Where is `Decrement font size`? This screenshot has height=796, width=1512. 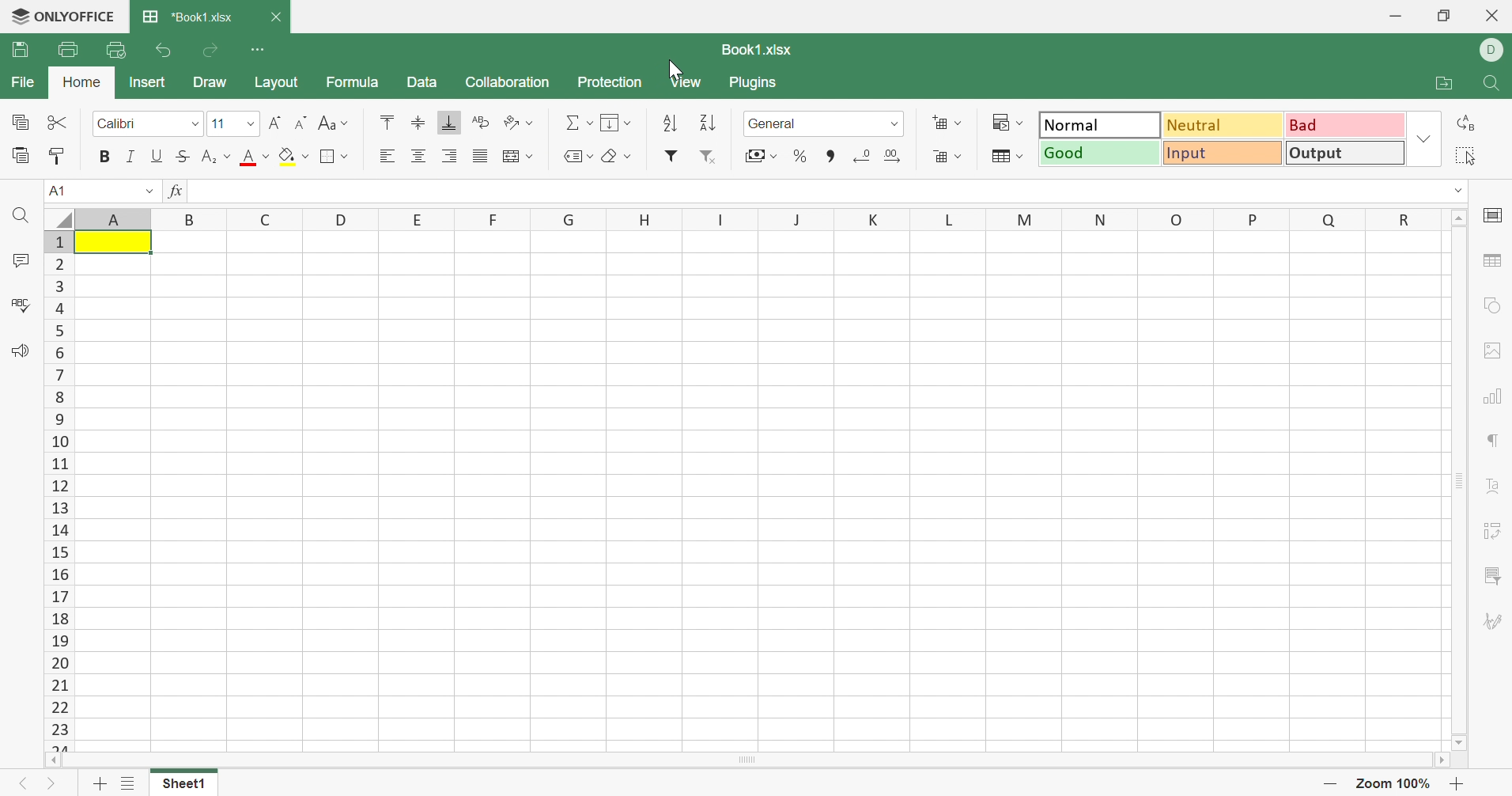
Decrement font size is located at coordinates (299, 120).